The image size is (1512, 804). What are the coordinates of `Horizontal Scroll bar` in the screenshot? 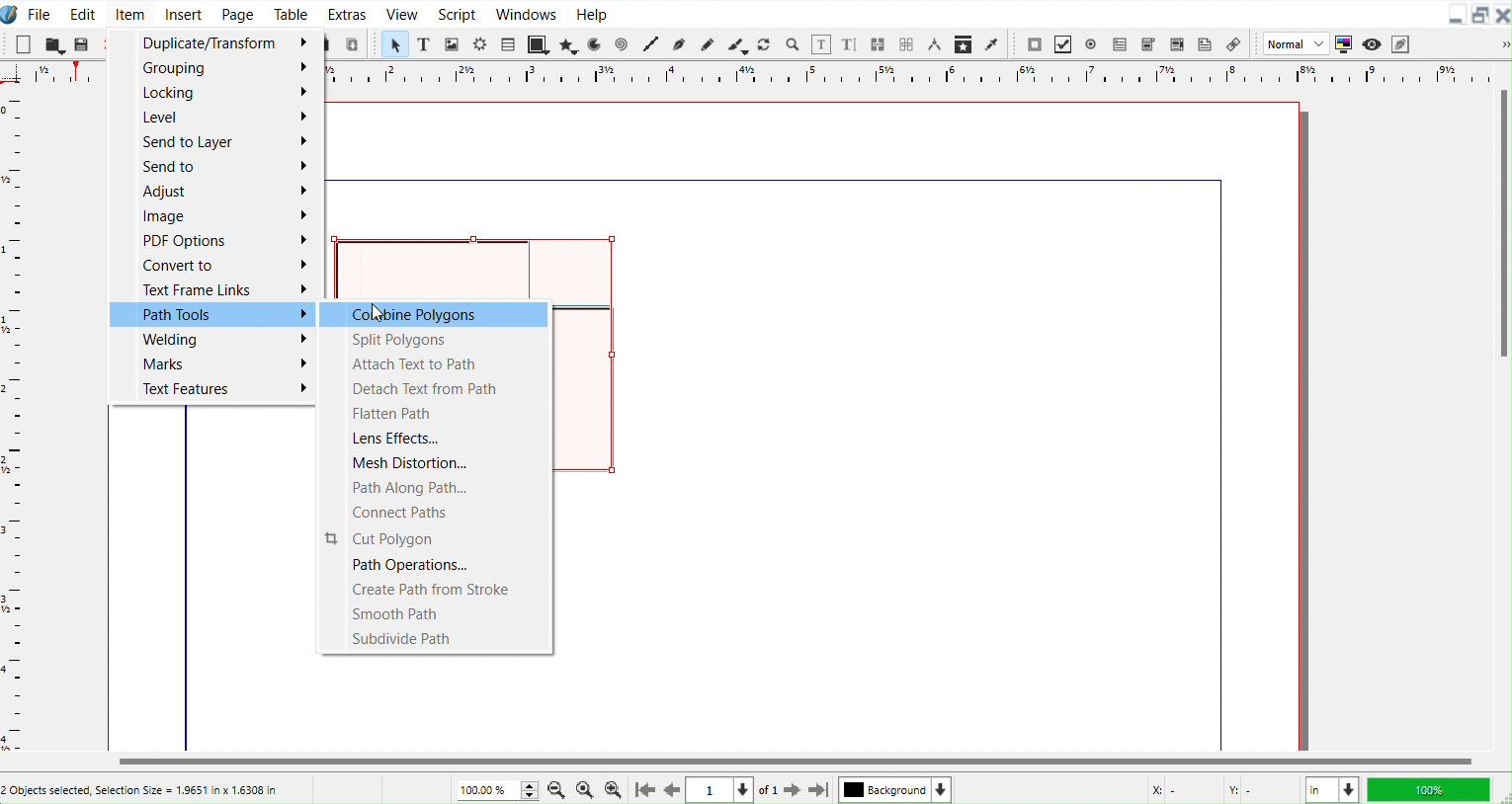 It's located at (755, 762).